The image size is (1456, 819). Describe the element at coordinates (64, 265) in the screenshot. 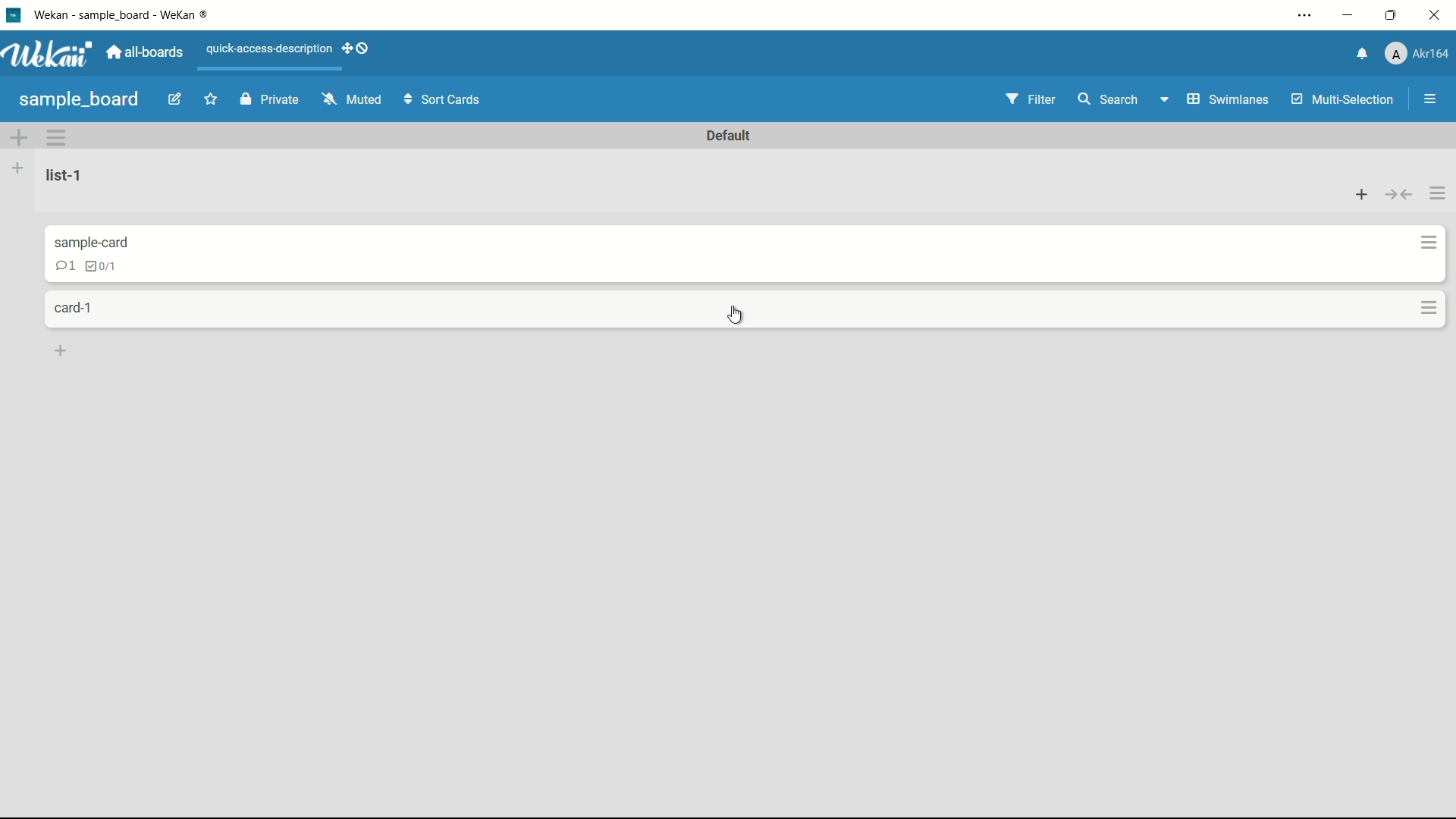

I see `comments` at that location.